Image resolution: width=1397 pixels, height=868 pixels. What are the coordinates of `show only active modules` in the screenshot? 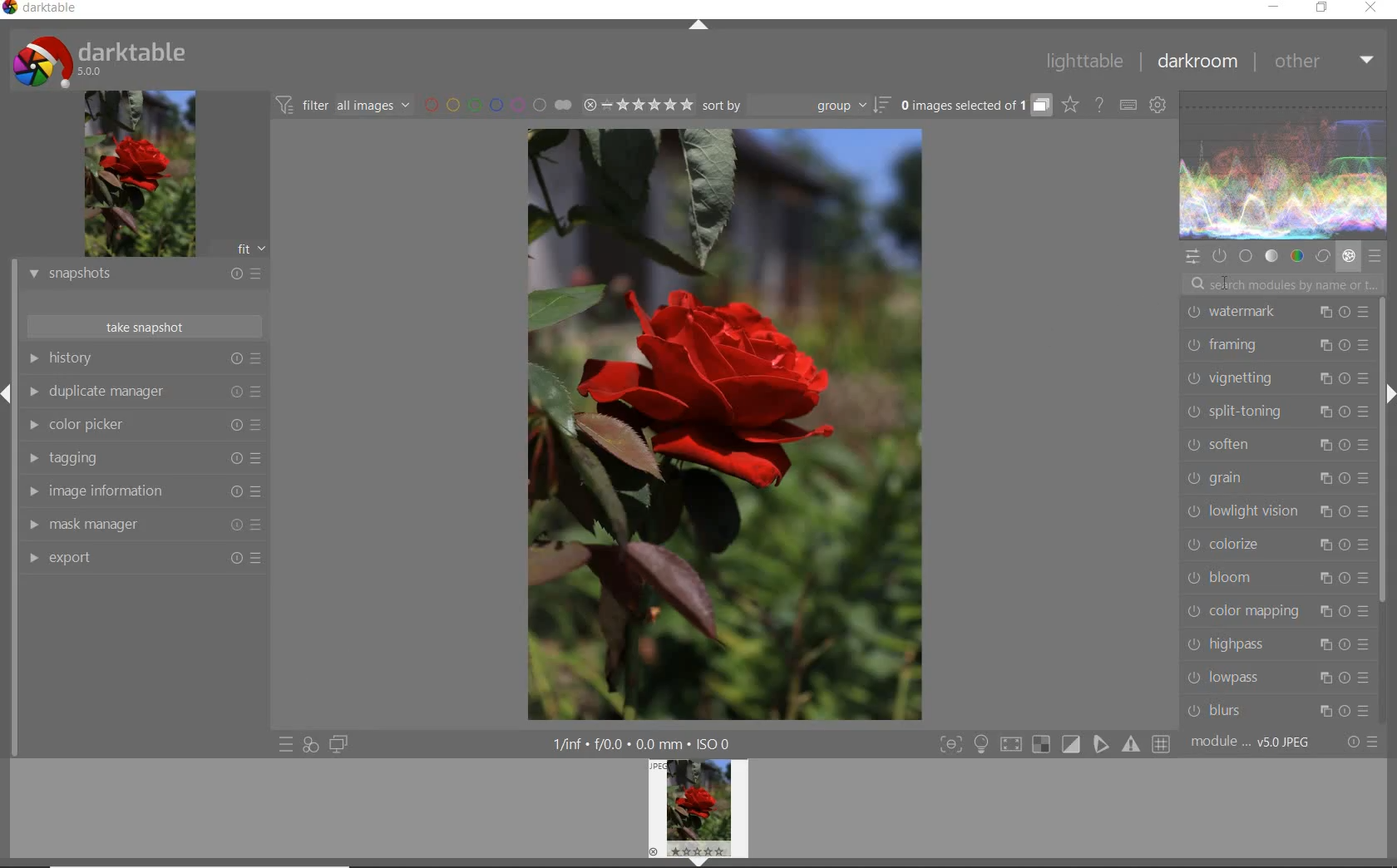 It's located at (1218, 254).